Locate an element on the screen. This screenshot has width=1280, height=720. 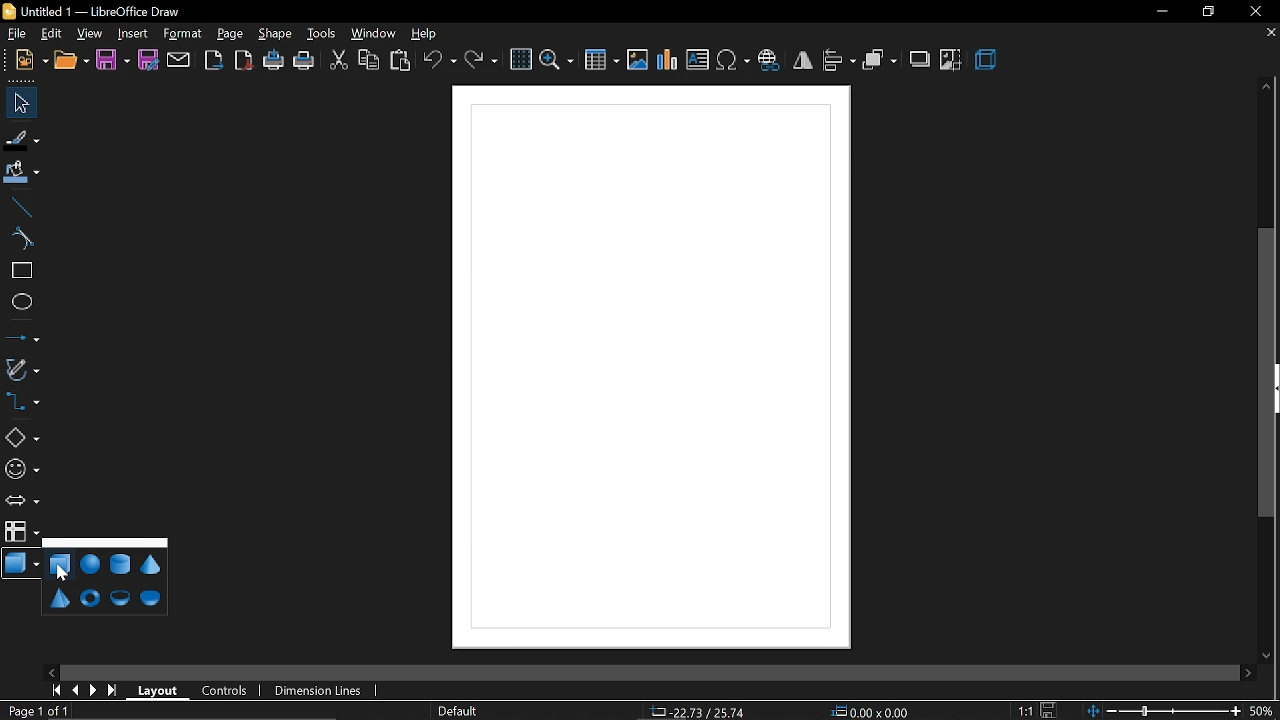
paste is located at coordinates (402, 62).